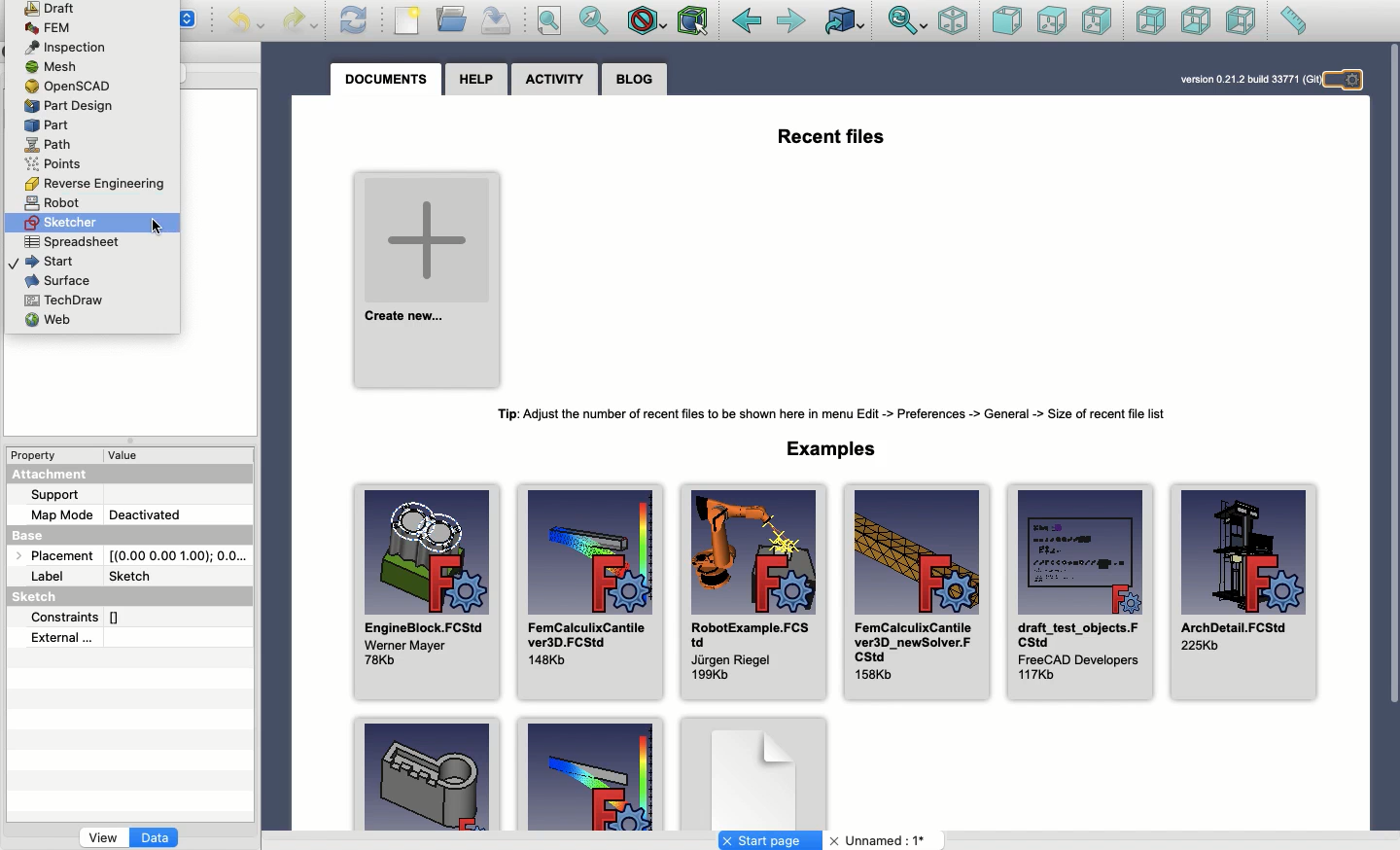 The image size is (1400, 850). Describe the element at coordinates (39, 538) in the screenshot. I see `Base` at that location.